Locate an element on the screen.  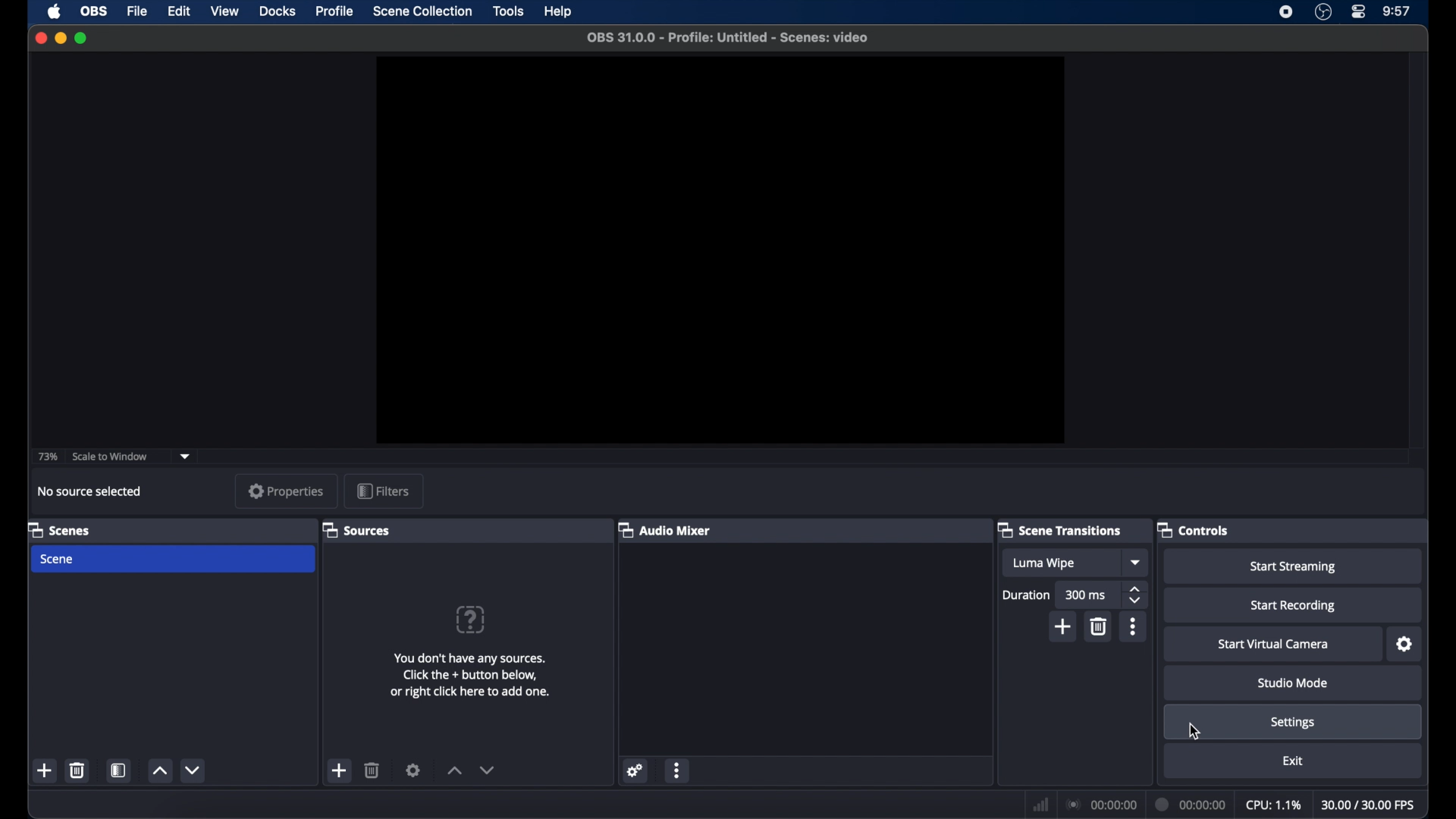
300 ms is located at coordinates (1087, 595).